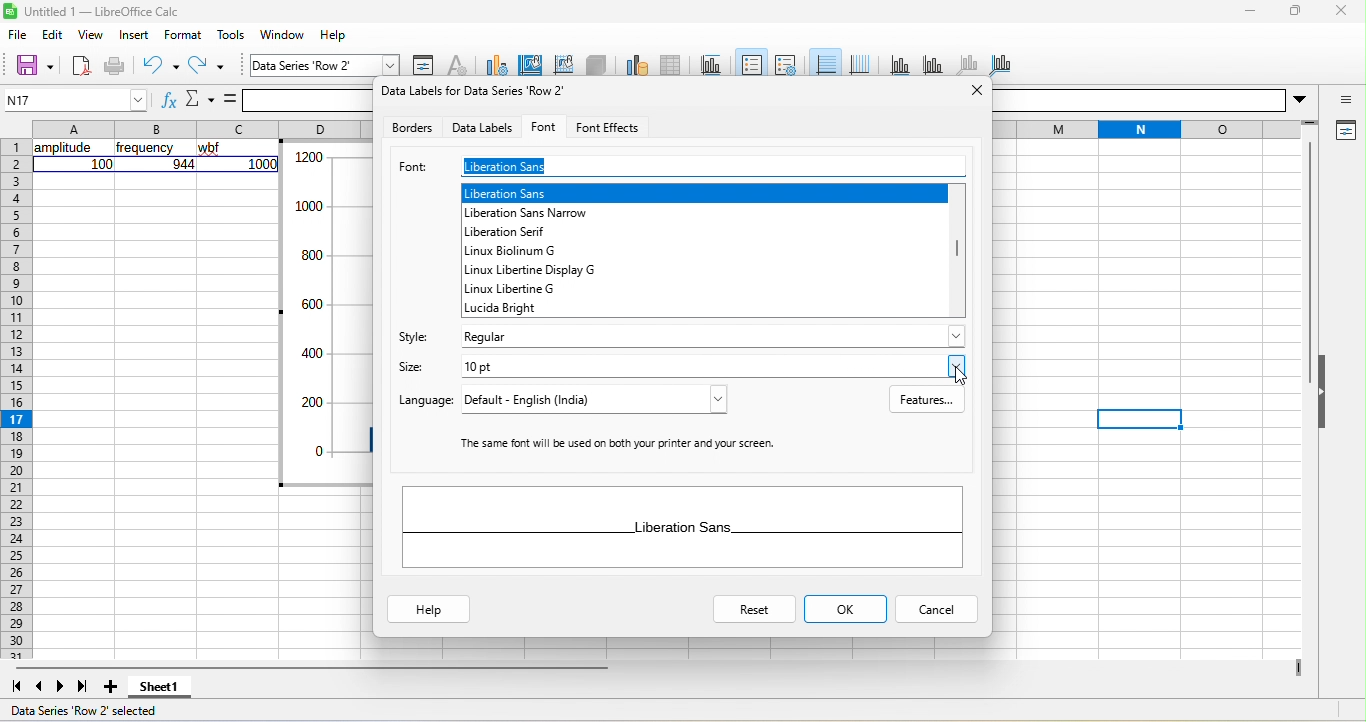 This screenshot has width=1366, height=722. I want to click on y axis, so click(940, 63).